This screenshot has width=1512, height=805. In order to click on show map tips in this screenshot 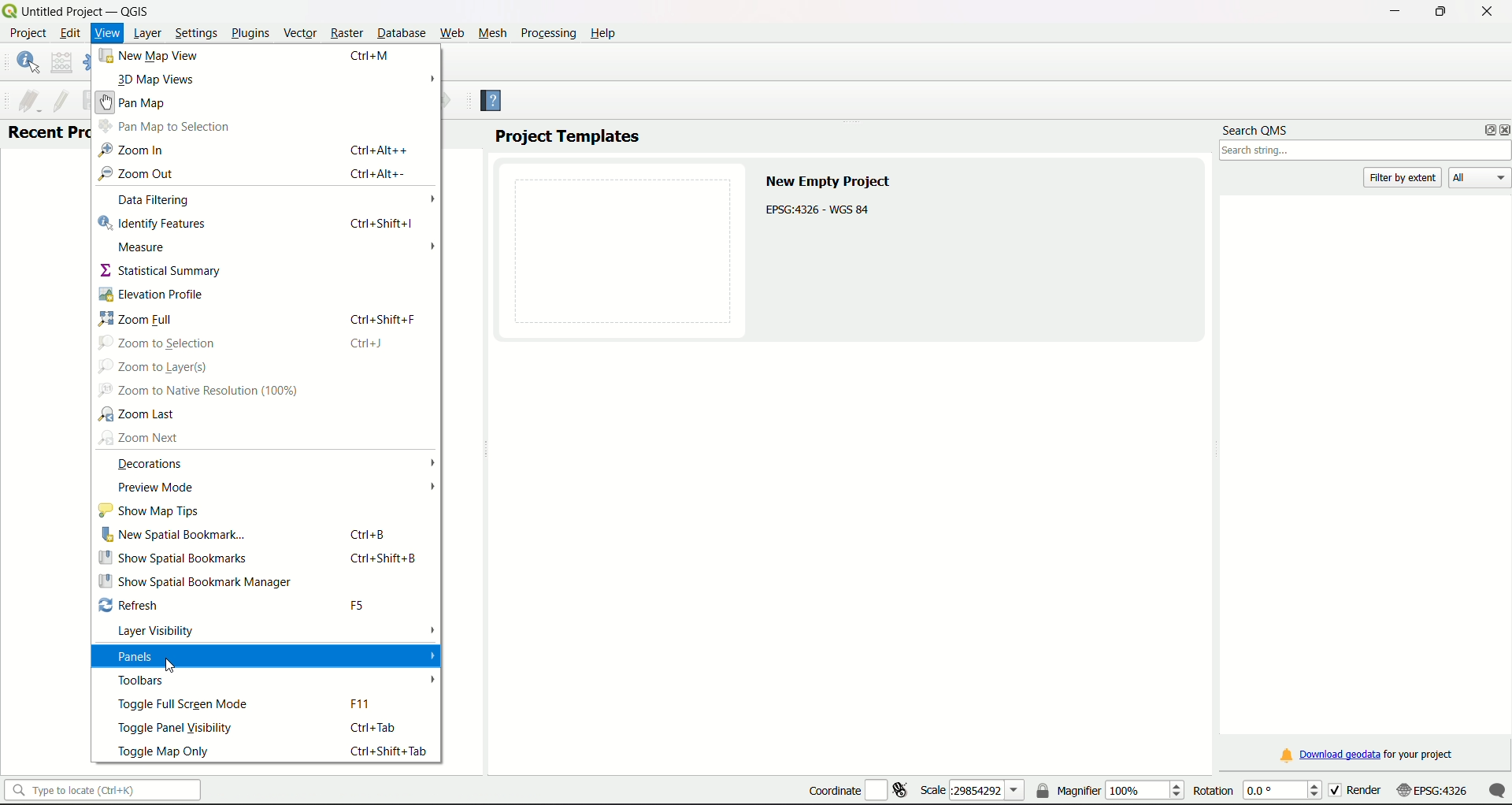, I will do `click(149, 510)`.